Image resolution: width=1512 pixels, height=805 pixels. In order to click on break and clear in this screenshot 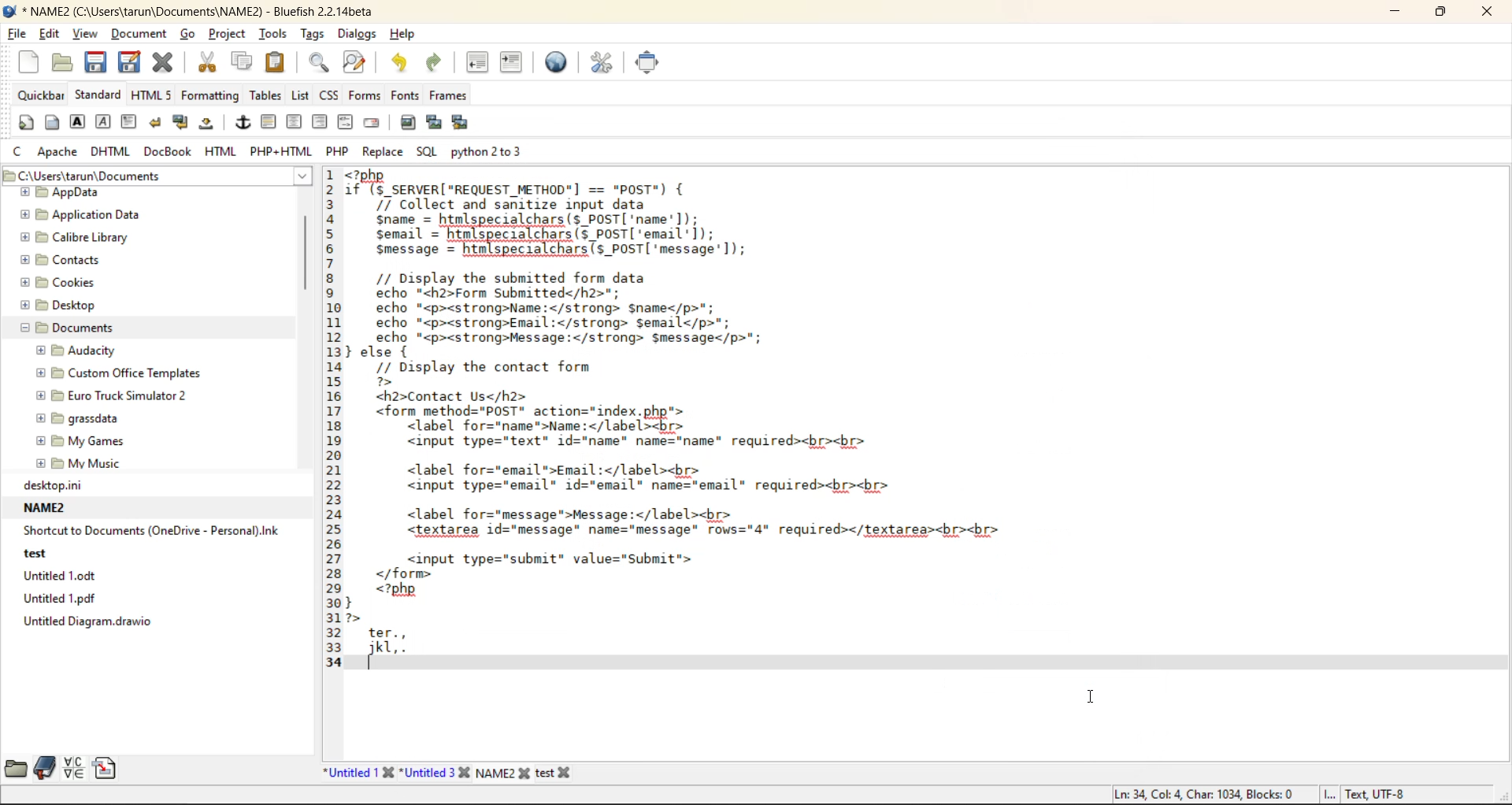, I will do `click(182, 124)`.